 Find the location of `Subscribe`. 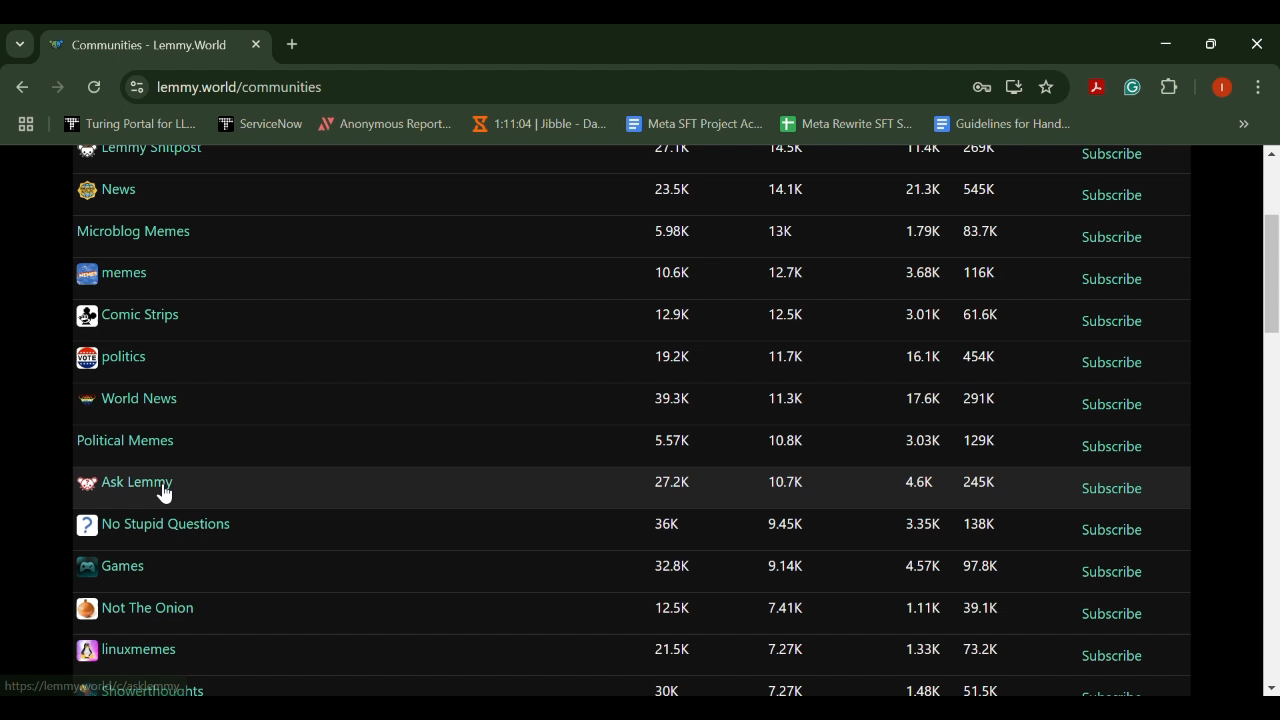

Subscribe is located at coordinates (1112, 363).